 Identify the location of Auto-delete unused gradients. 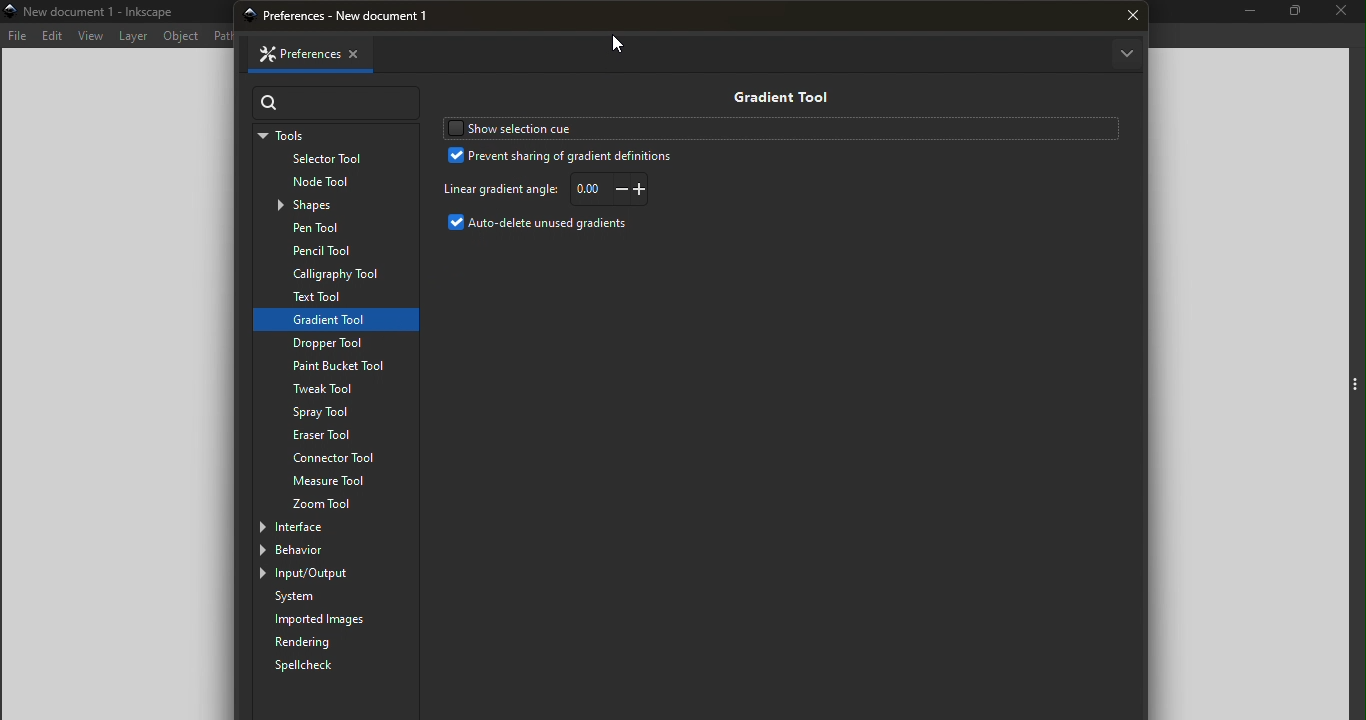
(546, 225).